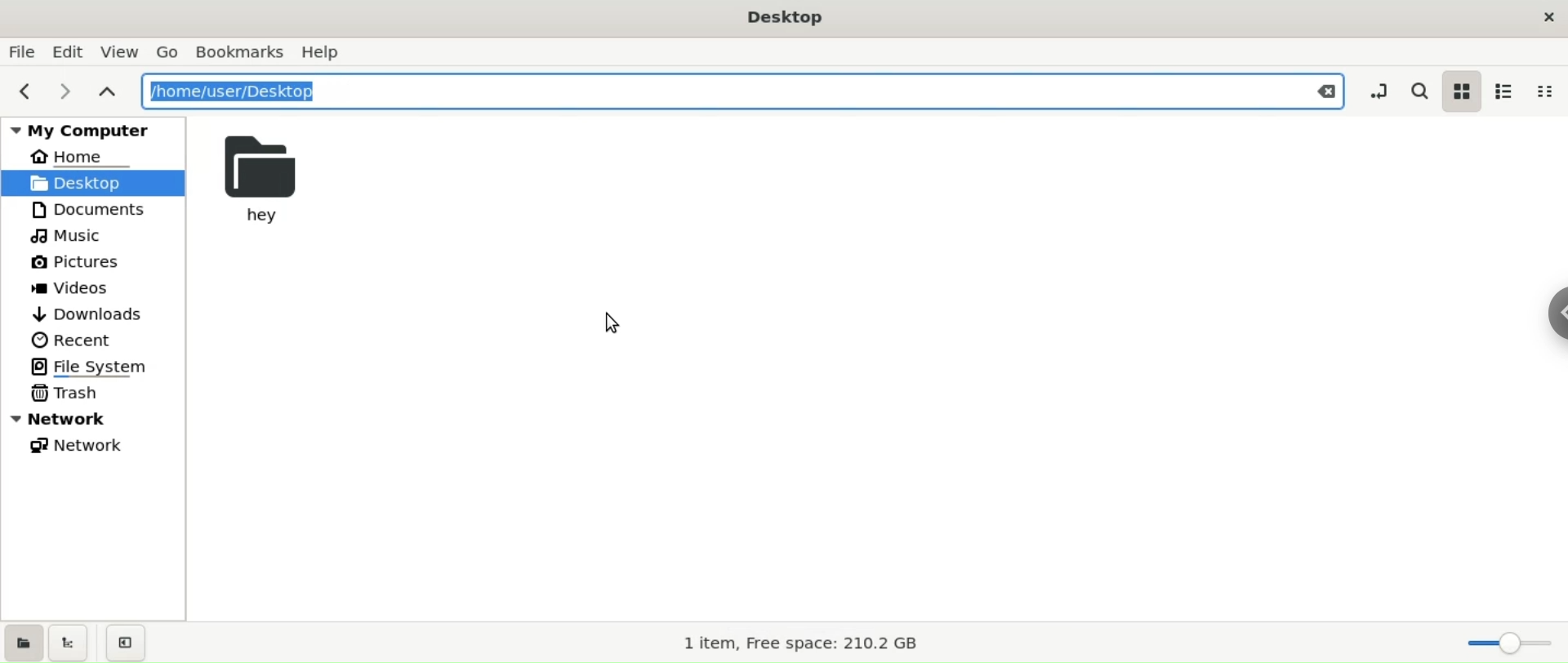 The image size is (1568, 663). I want to click on close sidebar, so click(127, 642).